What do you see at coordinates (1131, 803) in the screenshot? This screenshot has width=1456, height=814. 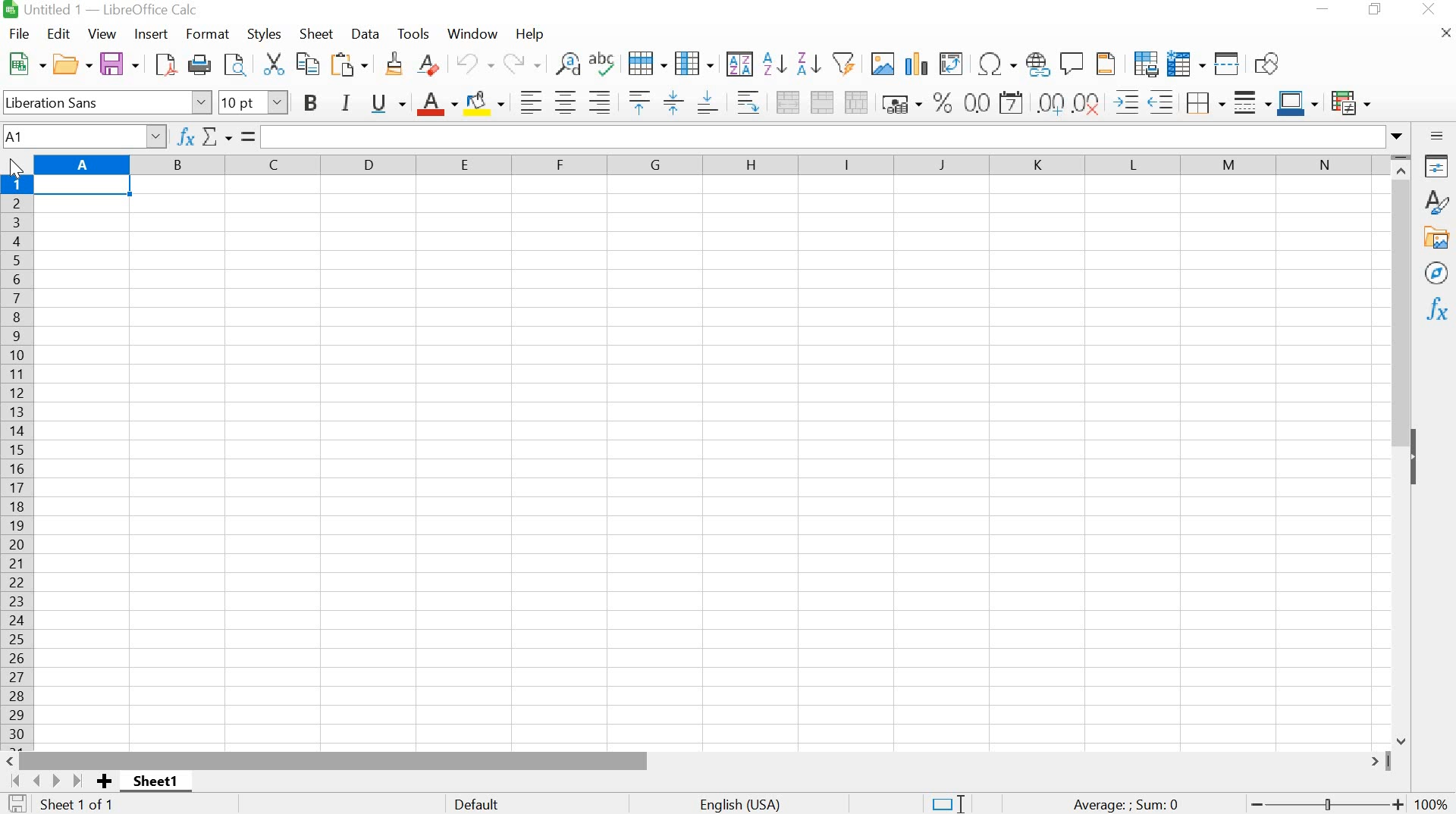 I see `Average : SUM 0` at bounding box center [1131, 803].